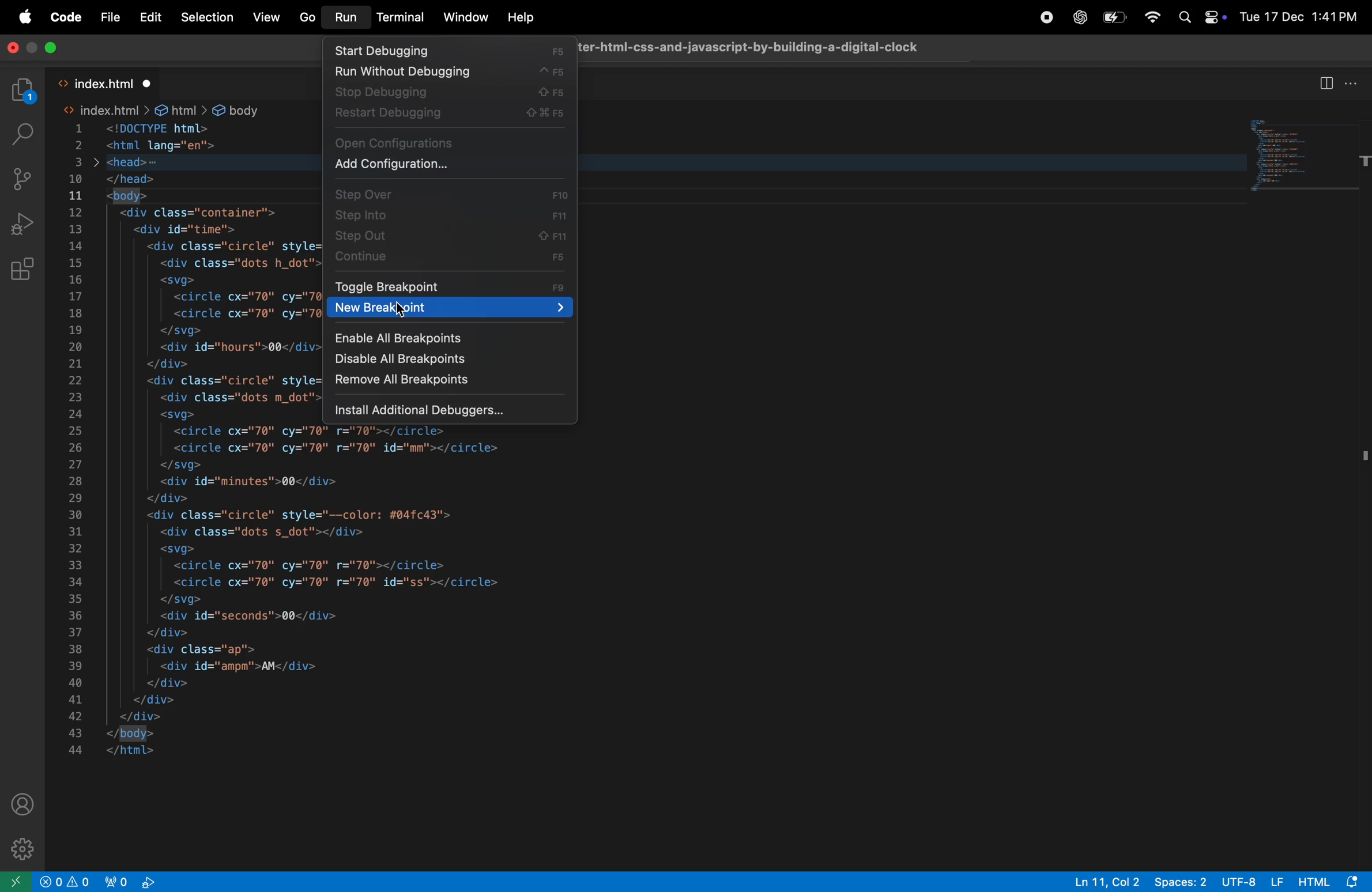 This screenshot has width=1372, height=892. Describe the element at coordinates (448, 309) in the screenshot. I see `new breakpoint` at that location.